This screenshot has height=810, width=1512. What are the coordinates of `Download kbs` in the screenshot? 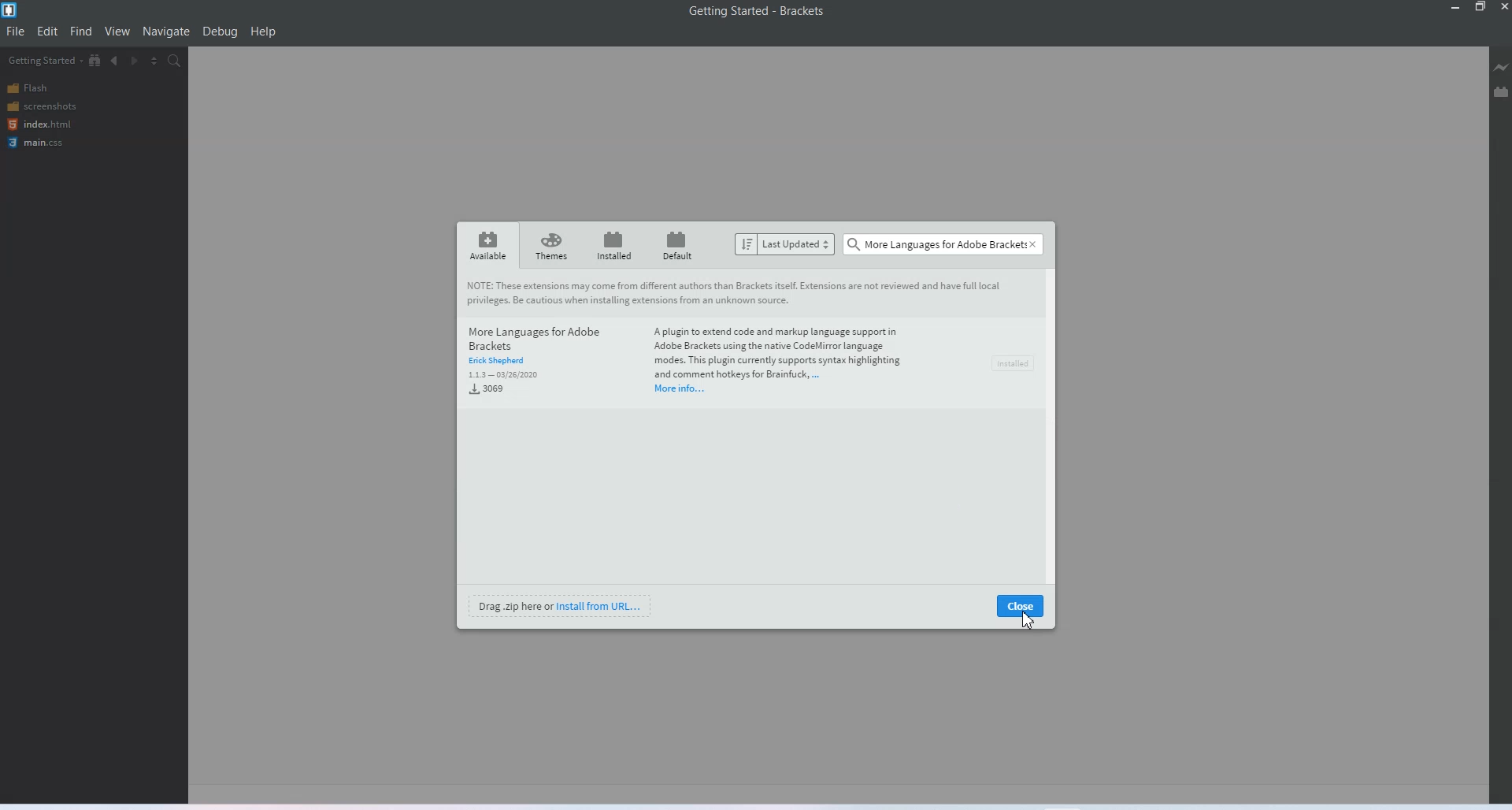 It's located at (502, 384).